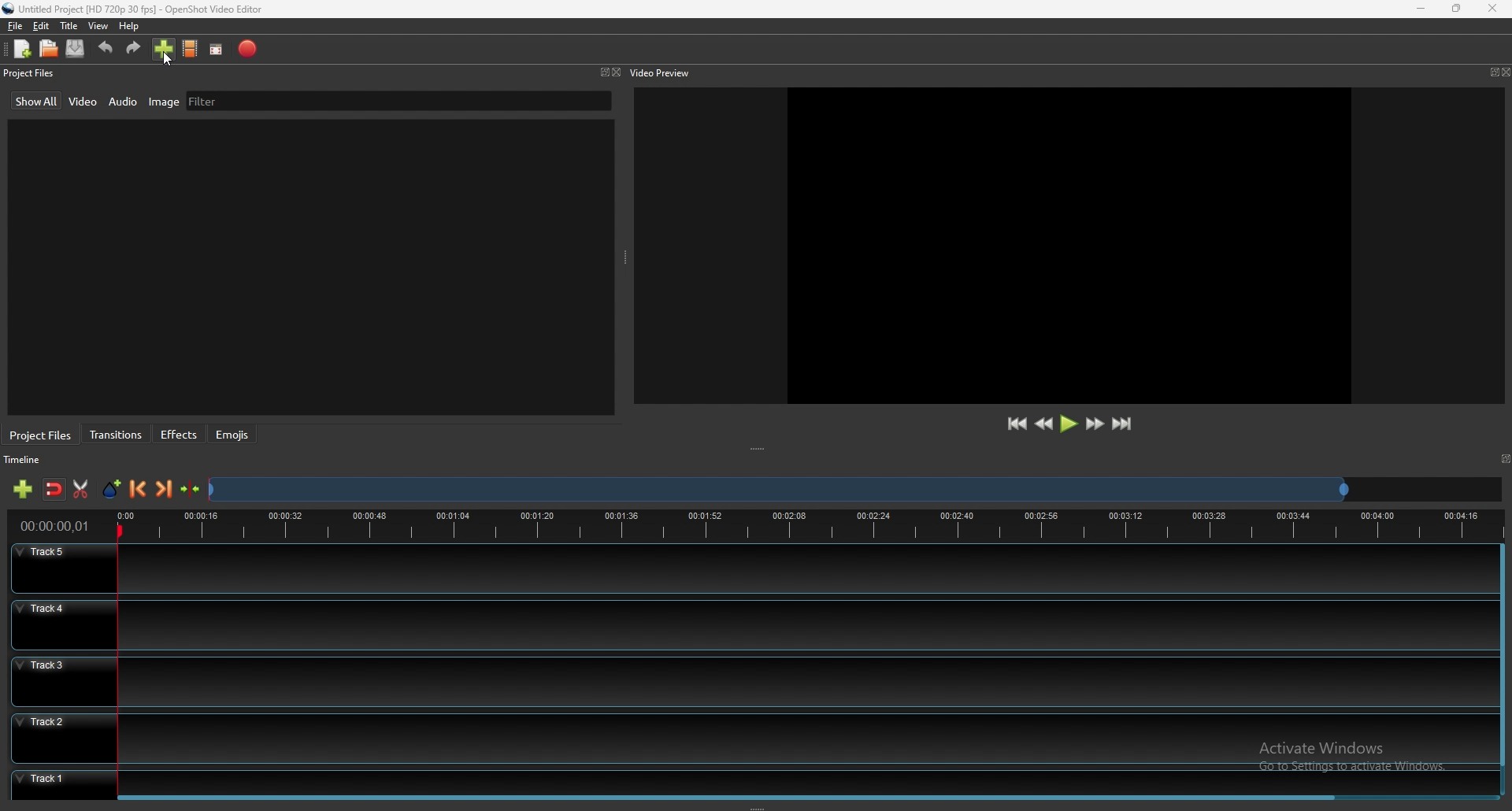  What do you see at coordinates (31, 72) in the screenshot?
I see `project files` at bounding box center [31, 72].